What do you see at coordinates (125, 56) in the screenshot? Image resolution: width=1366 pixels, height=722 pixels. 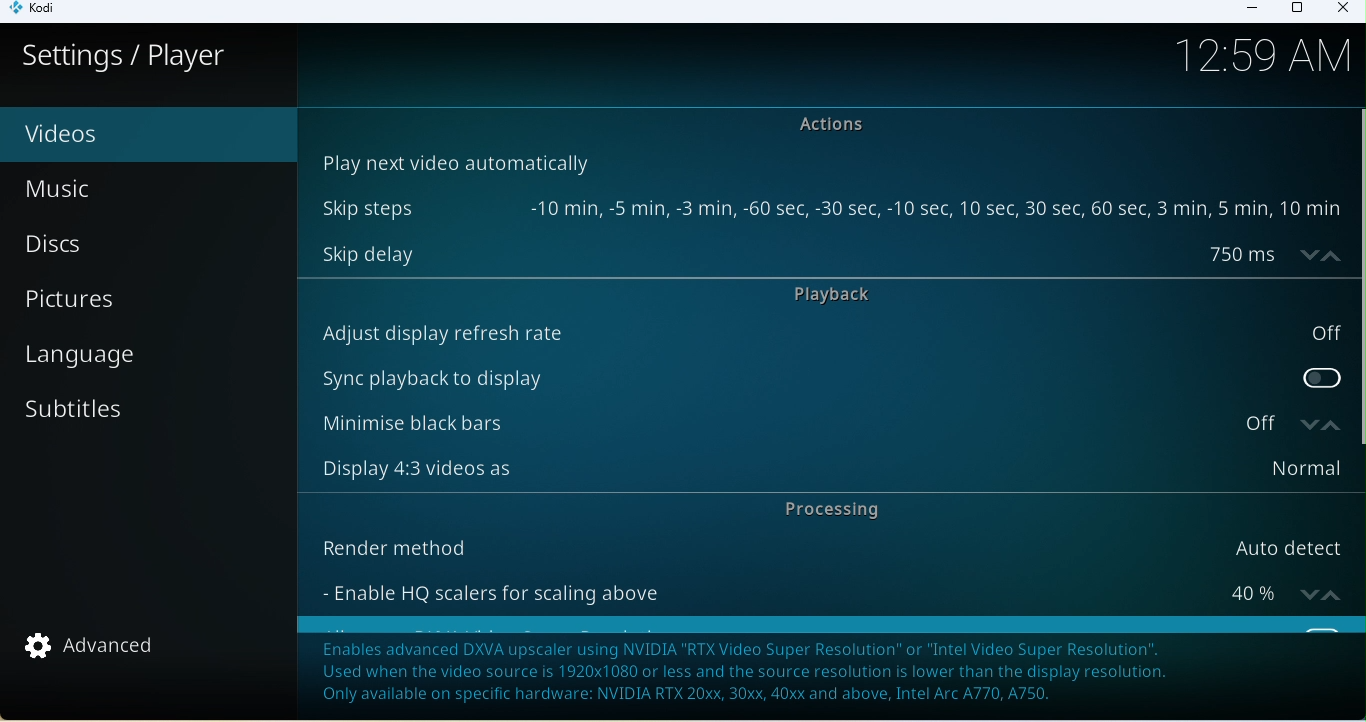 I see `Settings/player` at bounding box center [125, 56].